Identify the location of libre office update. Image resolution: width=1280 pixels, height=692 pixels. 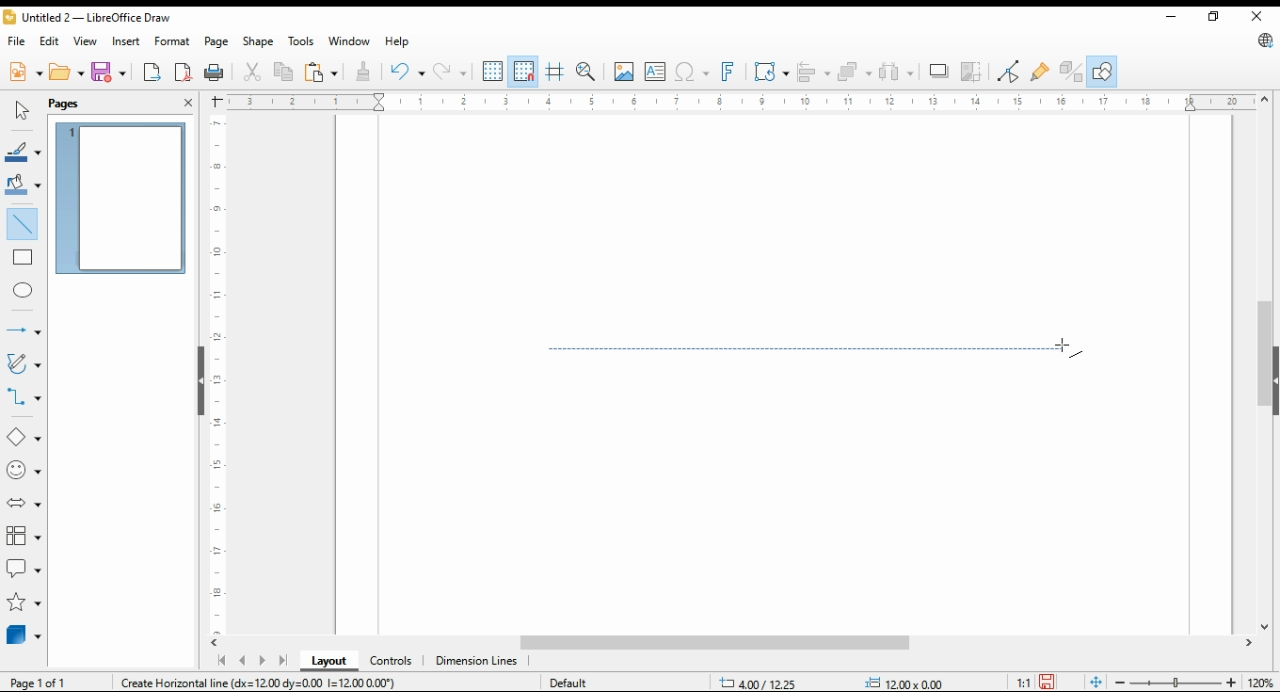
(1264, 40).